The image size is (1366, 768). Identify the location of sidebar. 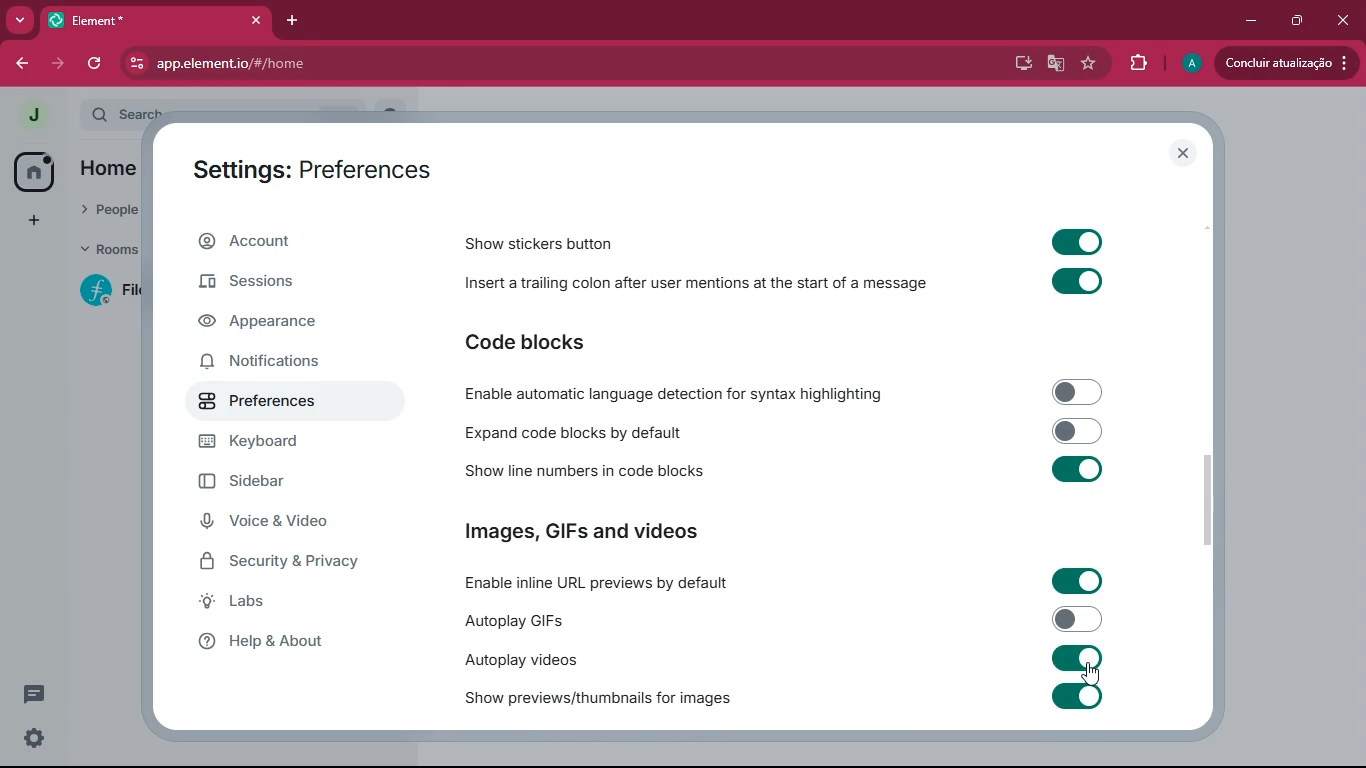
(289, 486).